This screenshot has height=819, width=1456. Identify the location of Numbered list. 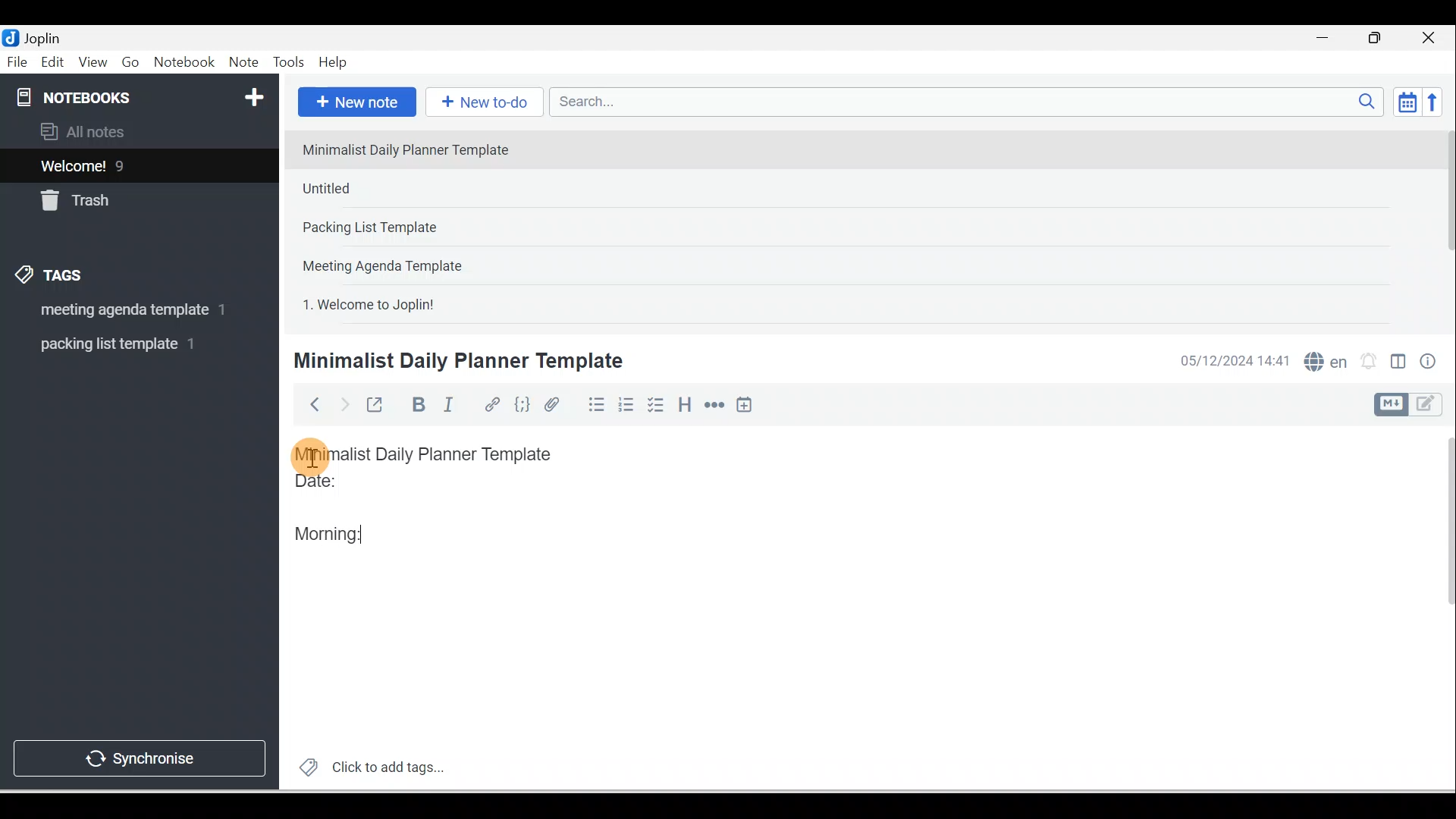
(626, 404).